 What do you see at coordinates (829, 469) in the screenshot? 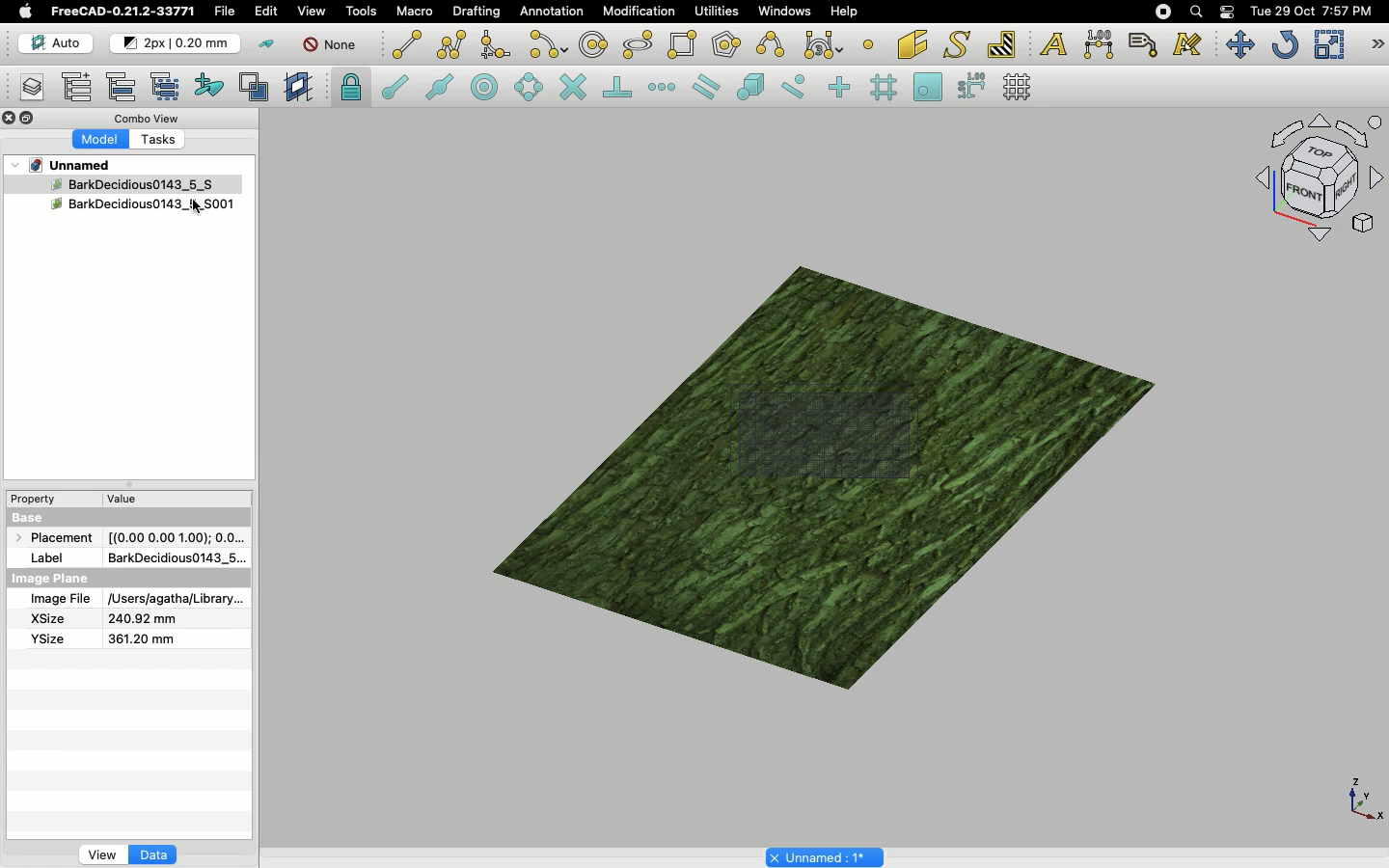
I see `Object selected` at bounding box center [829, 469].